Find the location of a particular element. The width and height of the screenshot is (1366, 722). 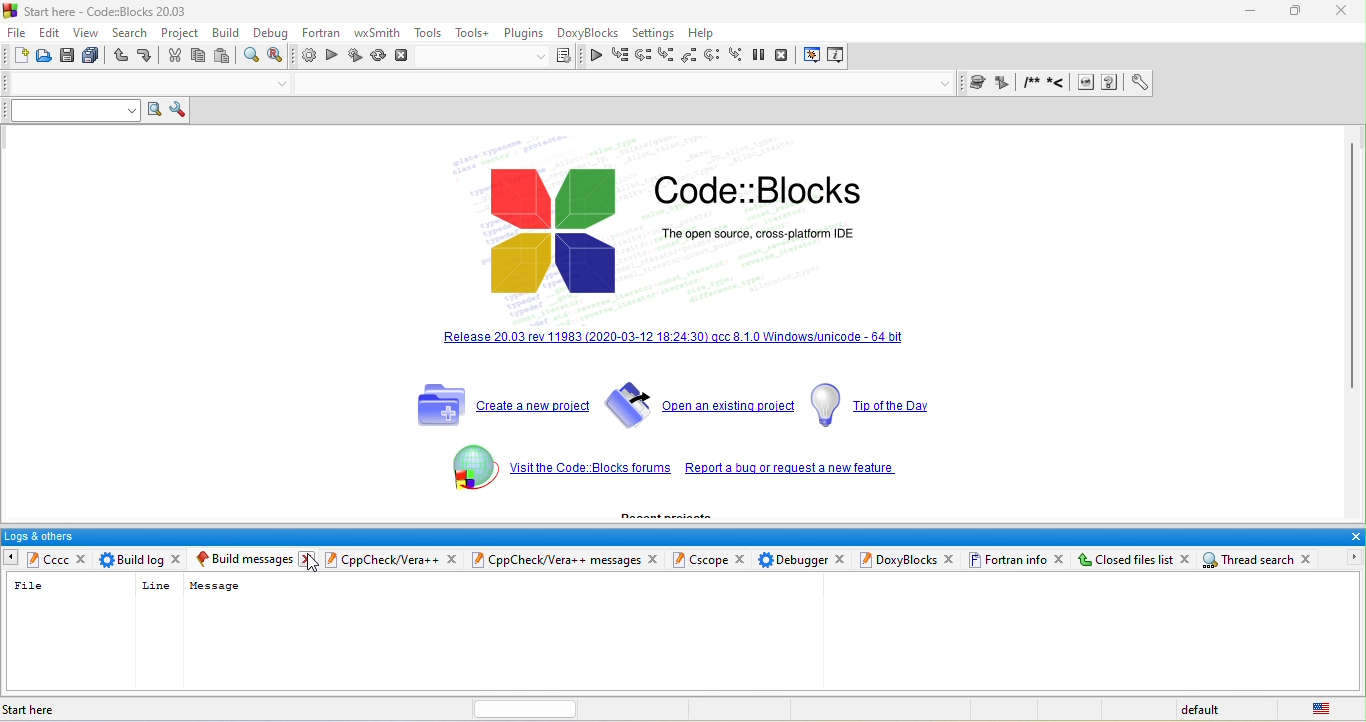

break debugger is located at coordinates (761, 57).